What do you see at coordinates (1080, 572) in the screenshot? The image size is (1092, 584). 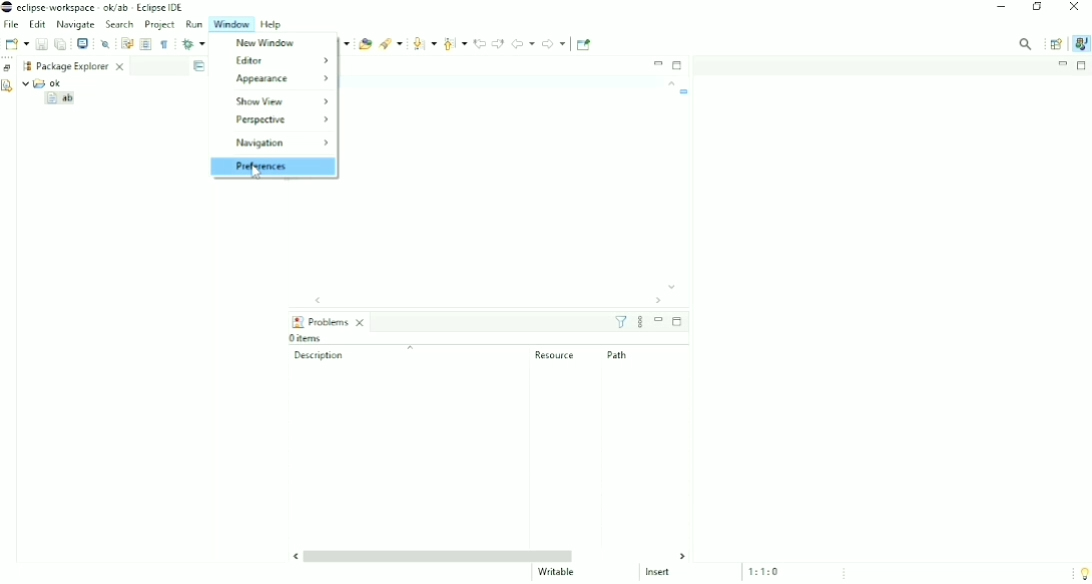 I see `Tip` at bounding box center [1080, 572].